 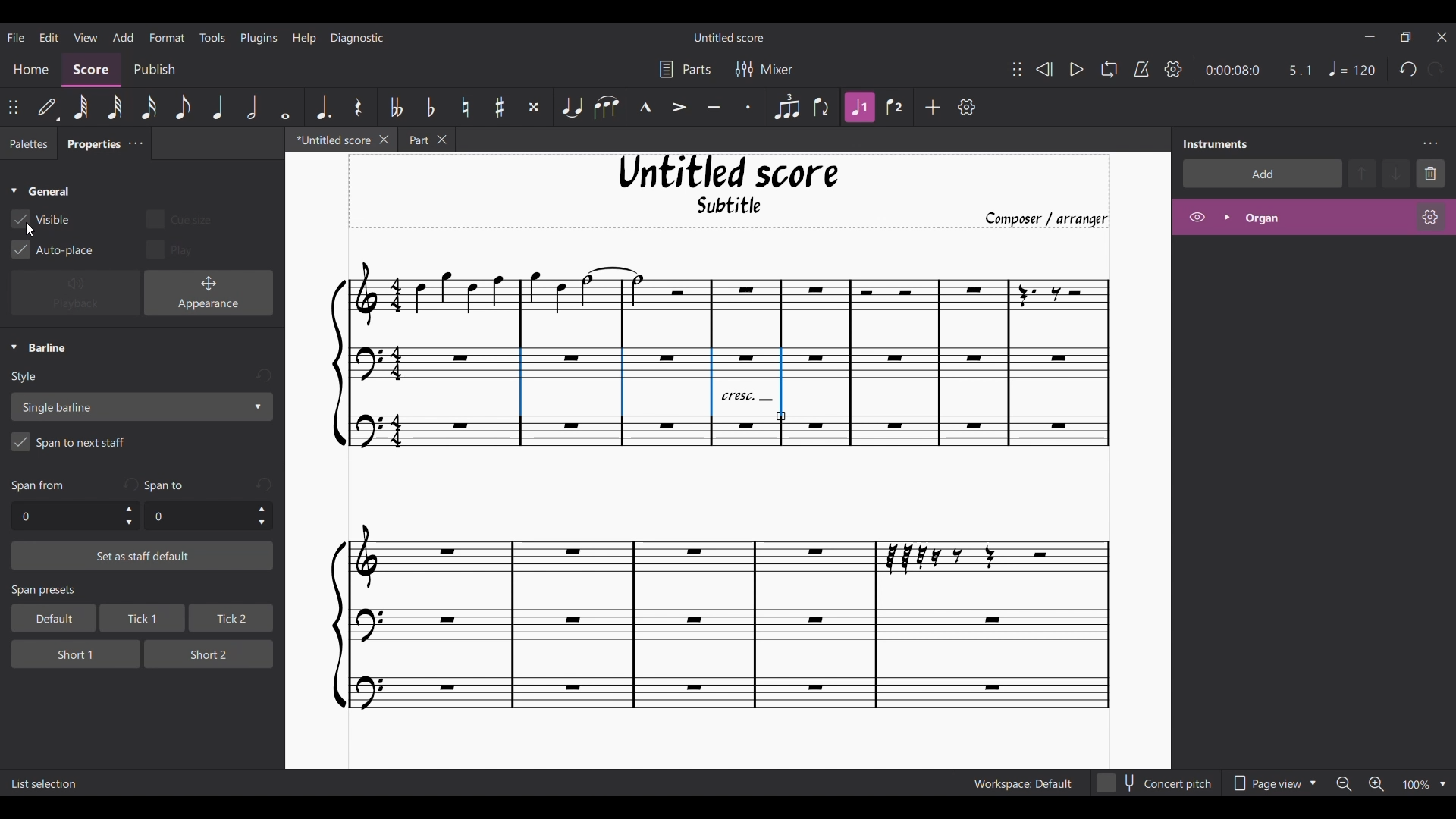 What do you see at coordinates (534, 108) in the screenshot?
I see `Toggle double sharp` at bounding box center [534, 108].